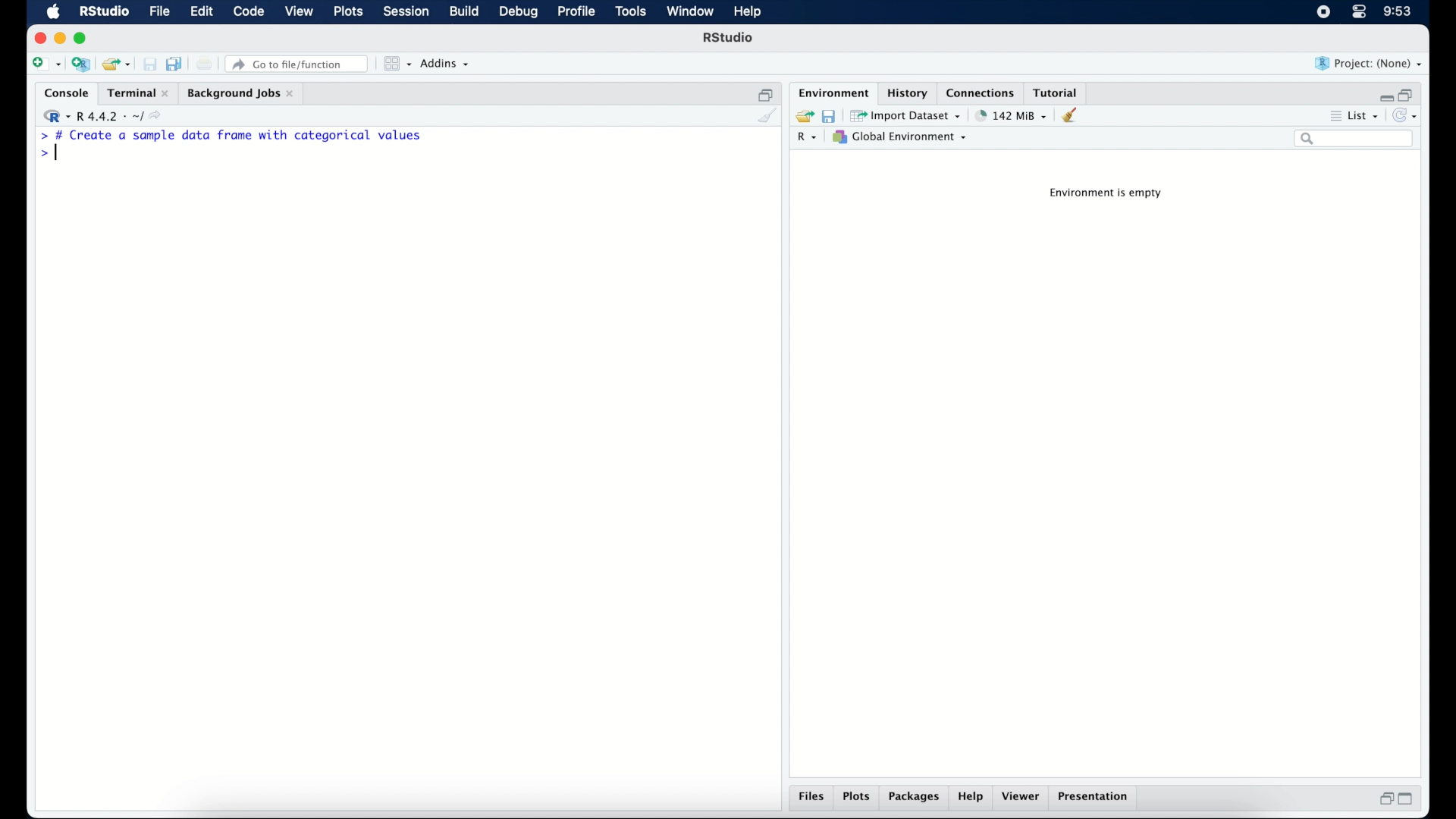 This screenshot has width=1456, height=819. Describe the element at coordinates (517, 13) in the screenshot. I see `debug` at that location.